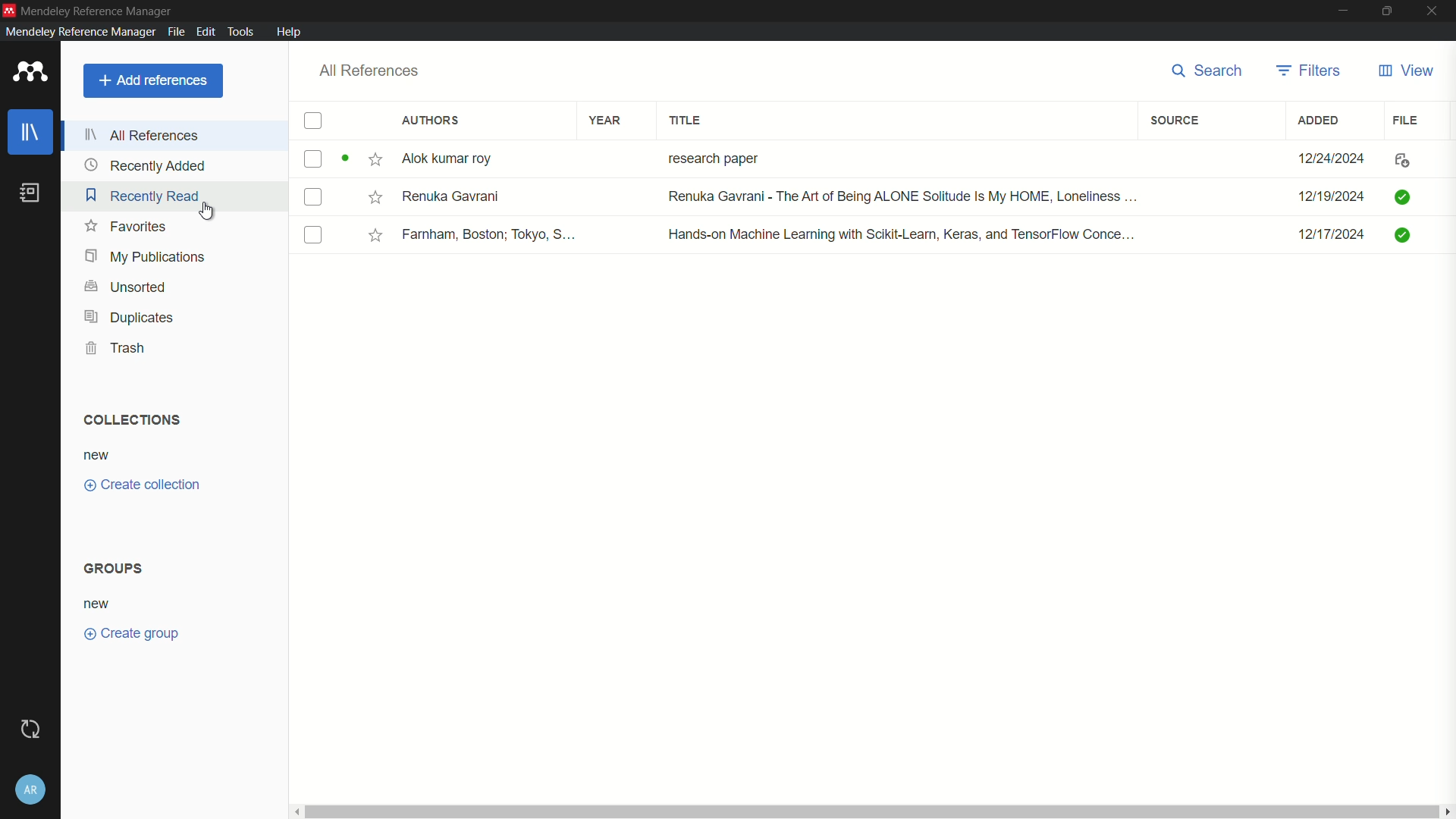 The image size is (1456, 819). I want to click on (un)select, so click(314, 198).